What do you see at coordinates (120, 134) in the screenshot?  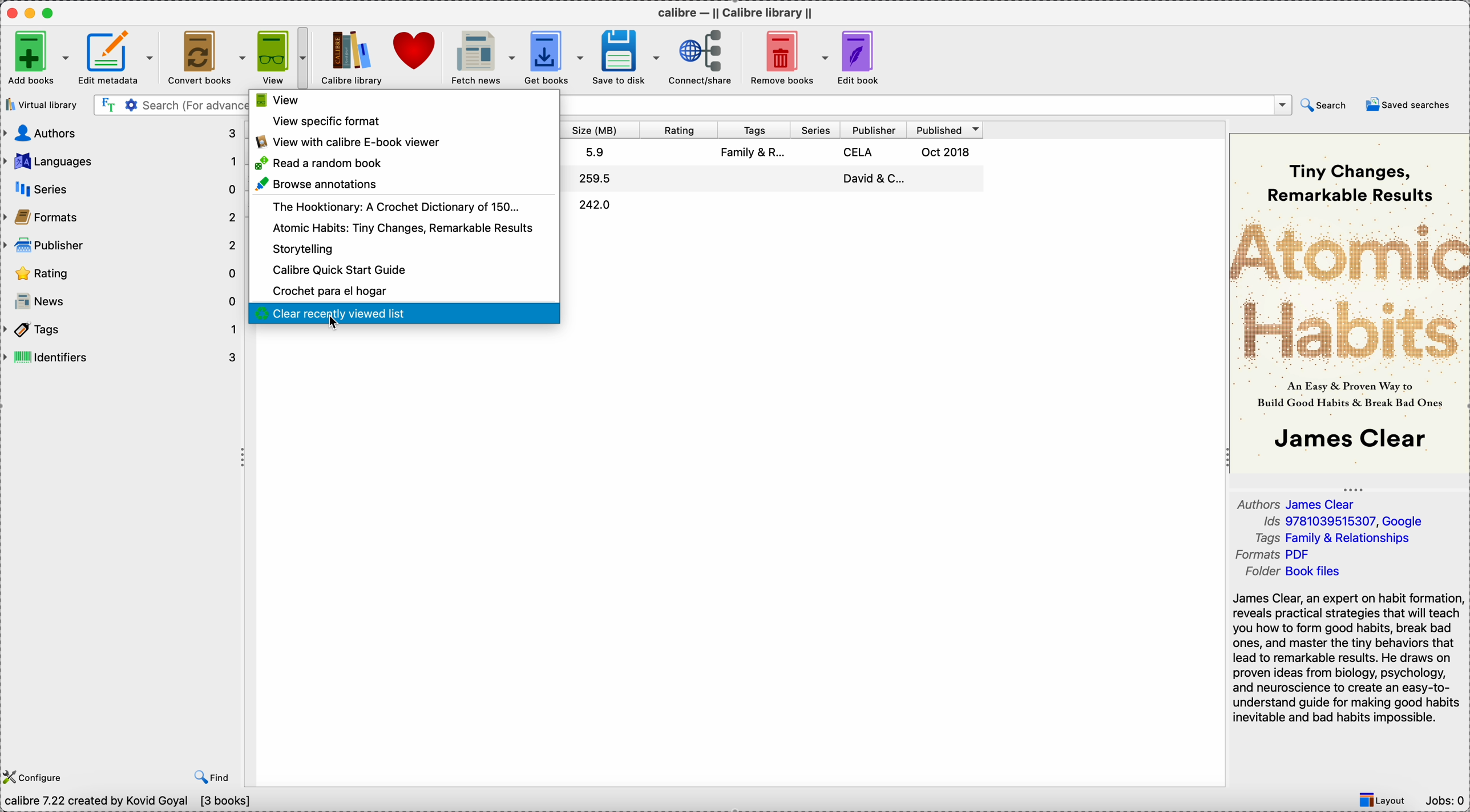 I see `authors` at bounding box center [120, 134].